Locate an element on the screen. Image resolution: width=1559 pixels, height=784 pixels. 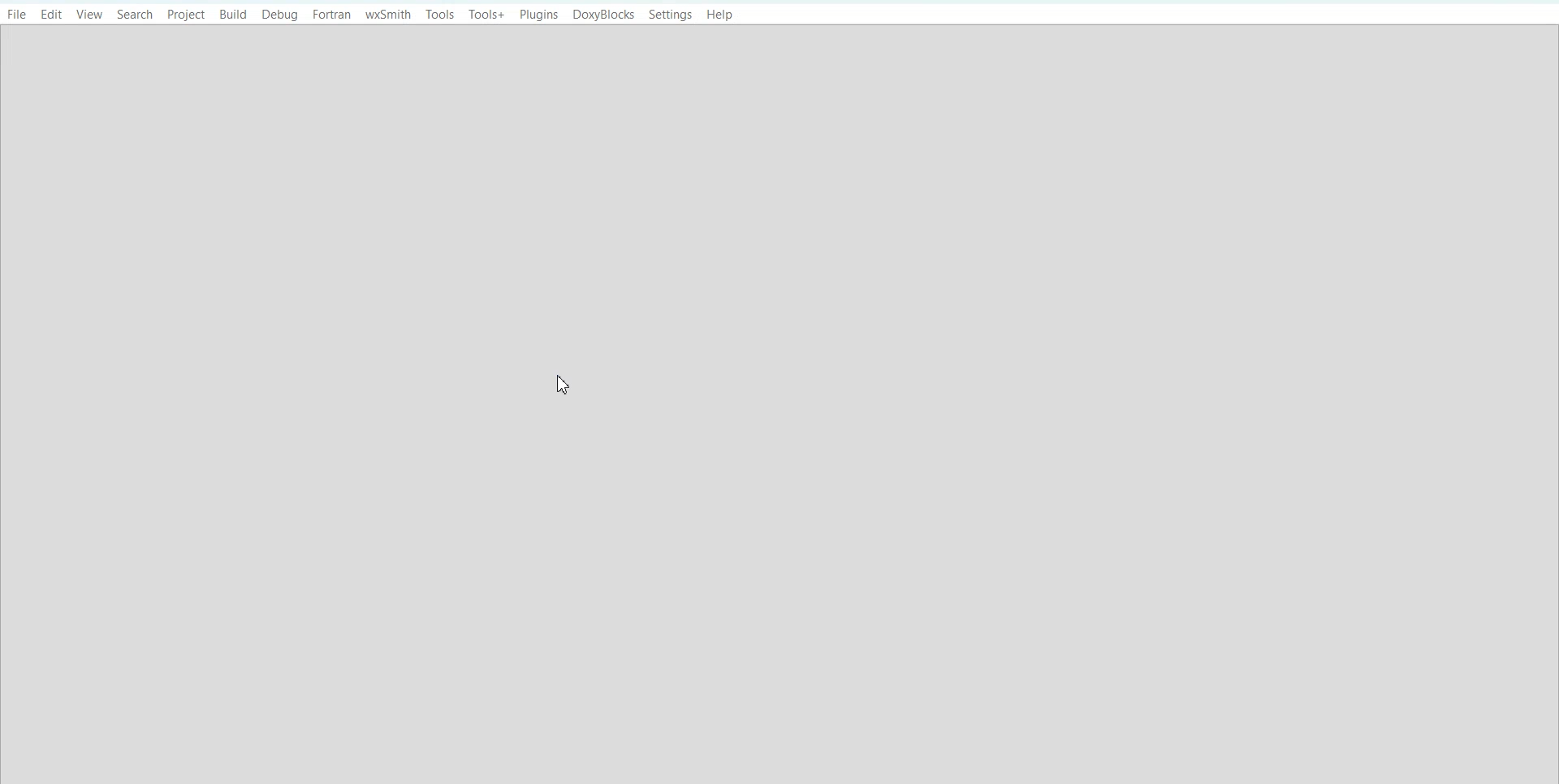
Edit is located at coordinates (51, 14).